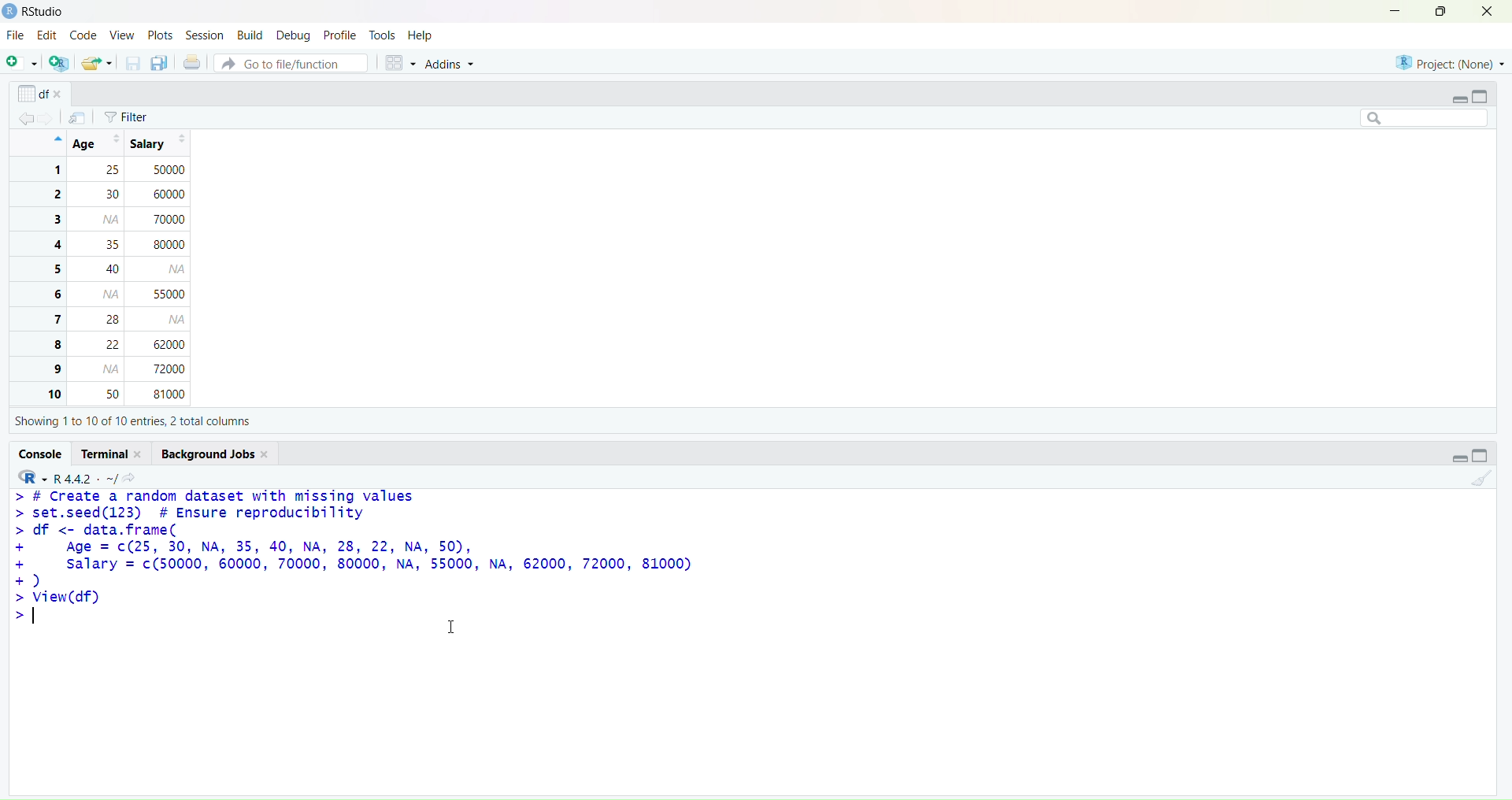 The image size is (1512, 800). Describe the element at coordinates (1459, 98) in the screenshot. I see `expand` at that location.